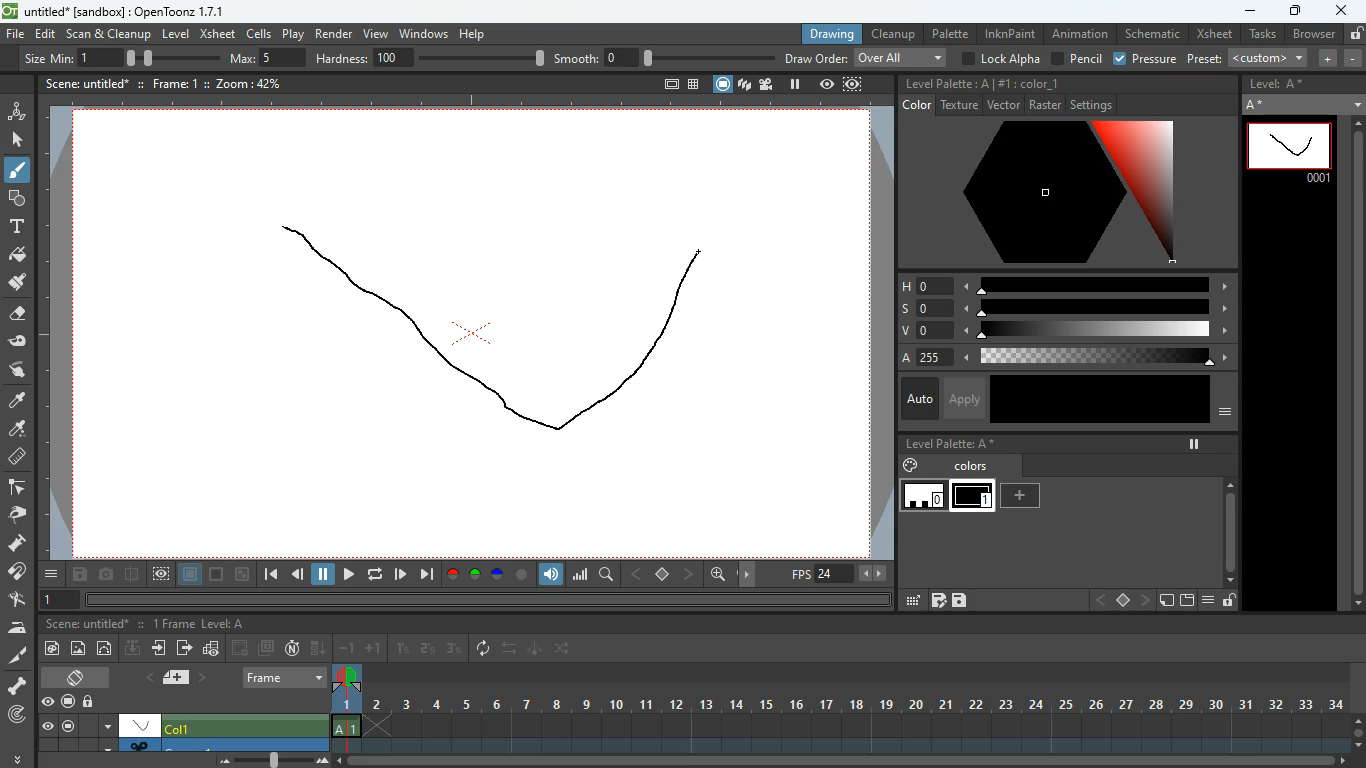 This screenshot has width=1366, height=768. I want to click on zoom, so click(718, 574).